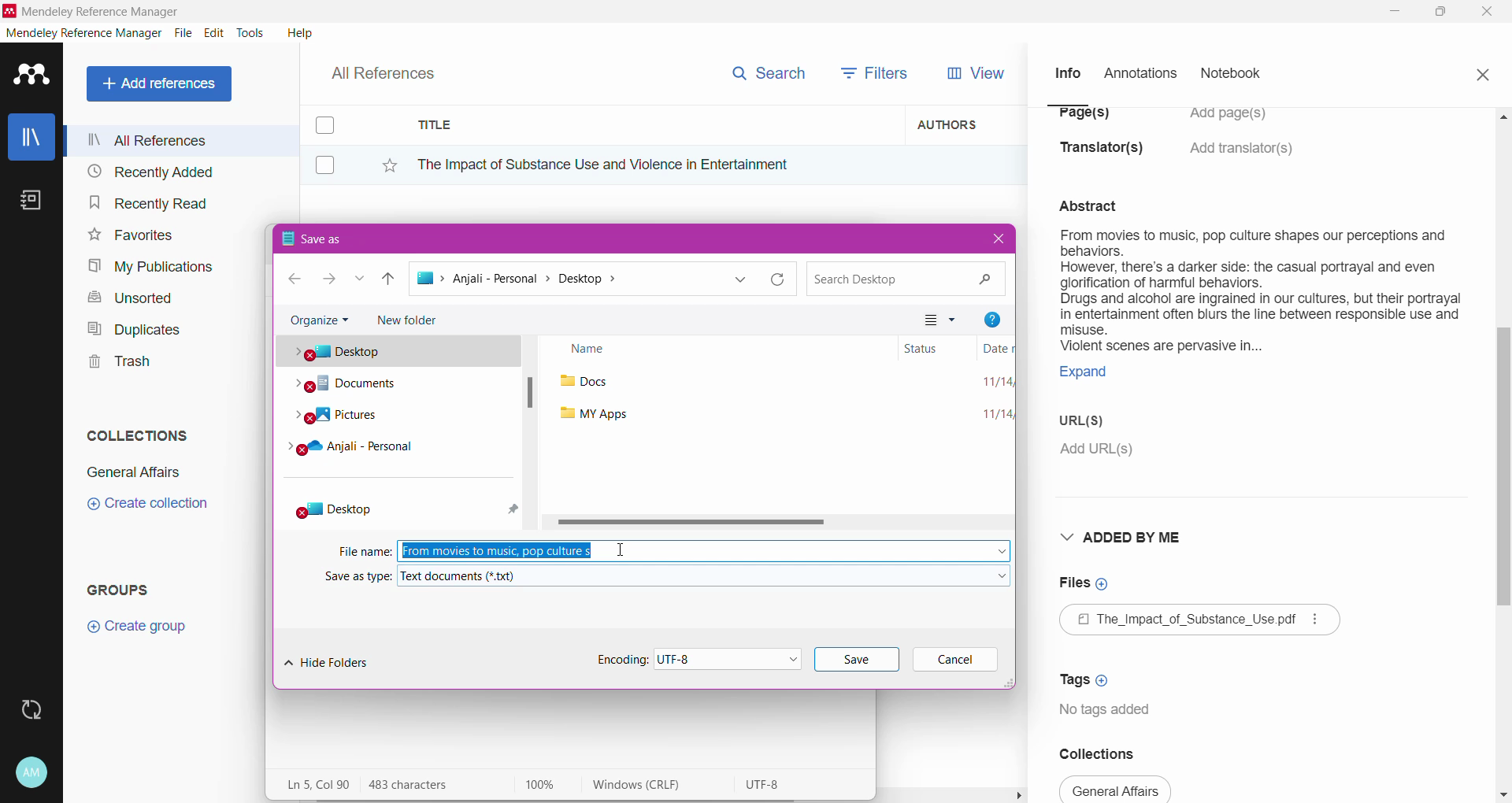  I want to click on Go one step back, so click(289, 279).